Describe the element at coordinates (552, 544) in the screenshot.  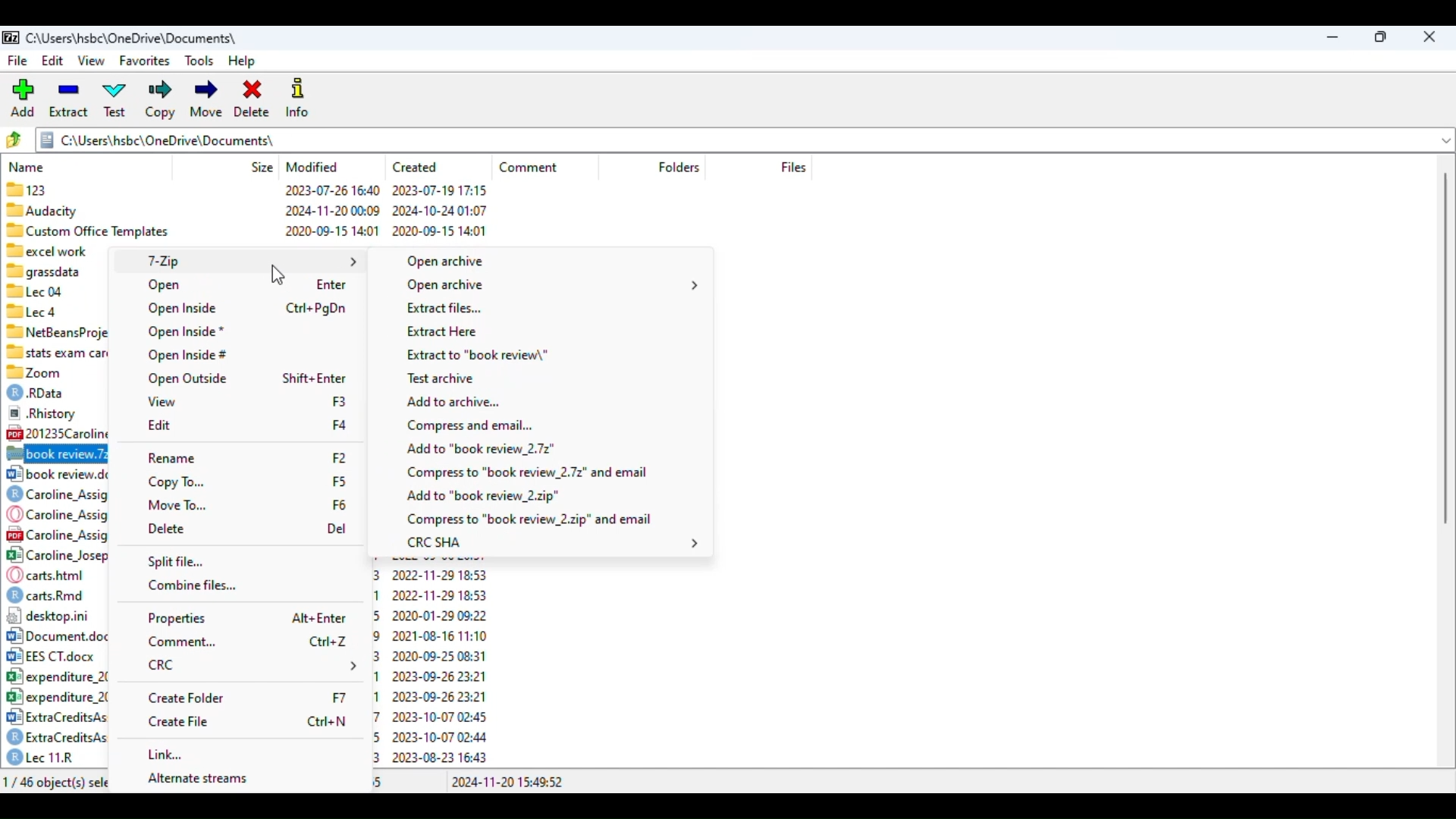
I see `CRC SHA` at that location.